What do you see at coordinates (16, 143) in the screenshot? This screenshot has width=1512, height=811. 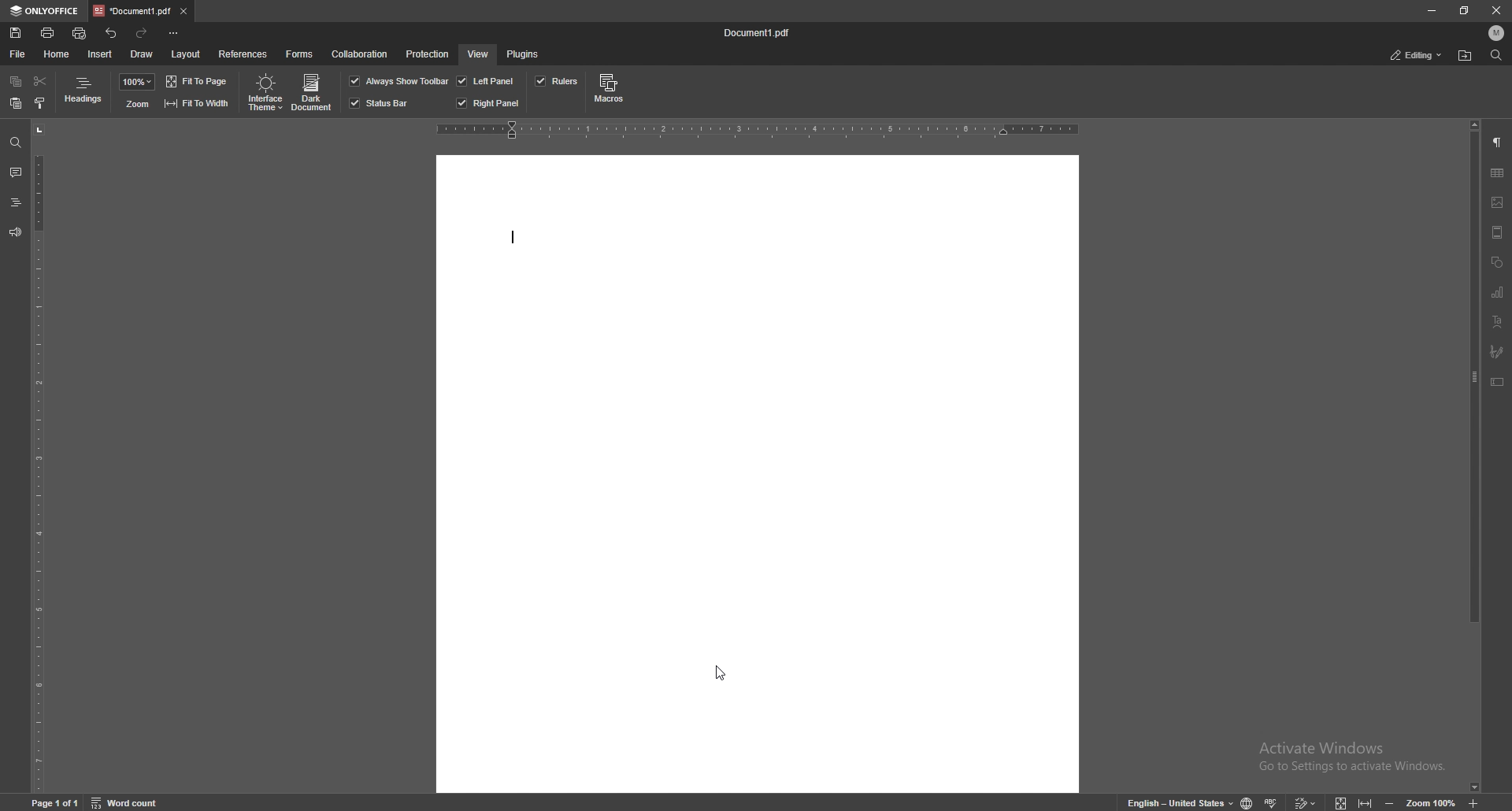 I see `find` at bounding box center [16, 143].